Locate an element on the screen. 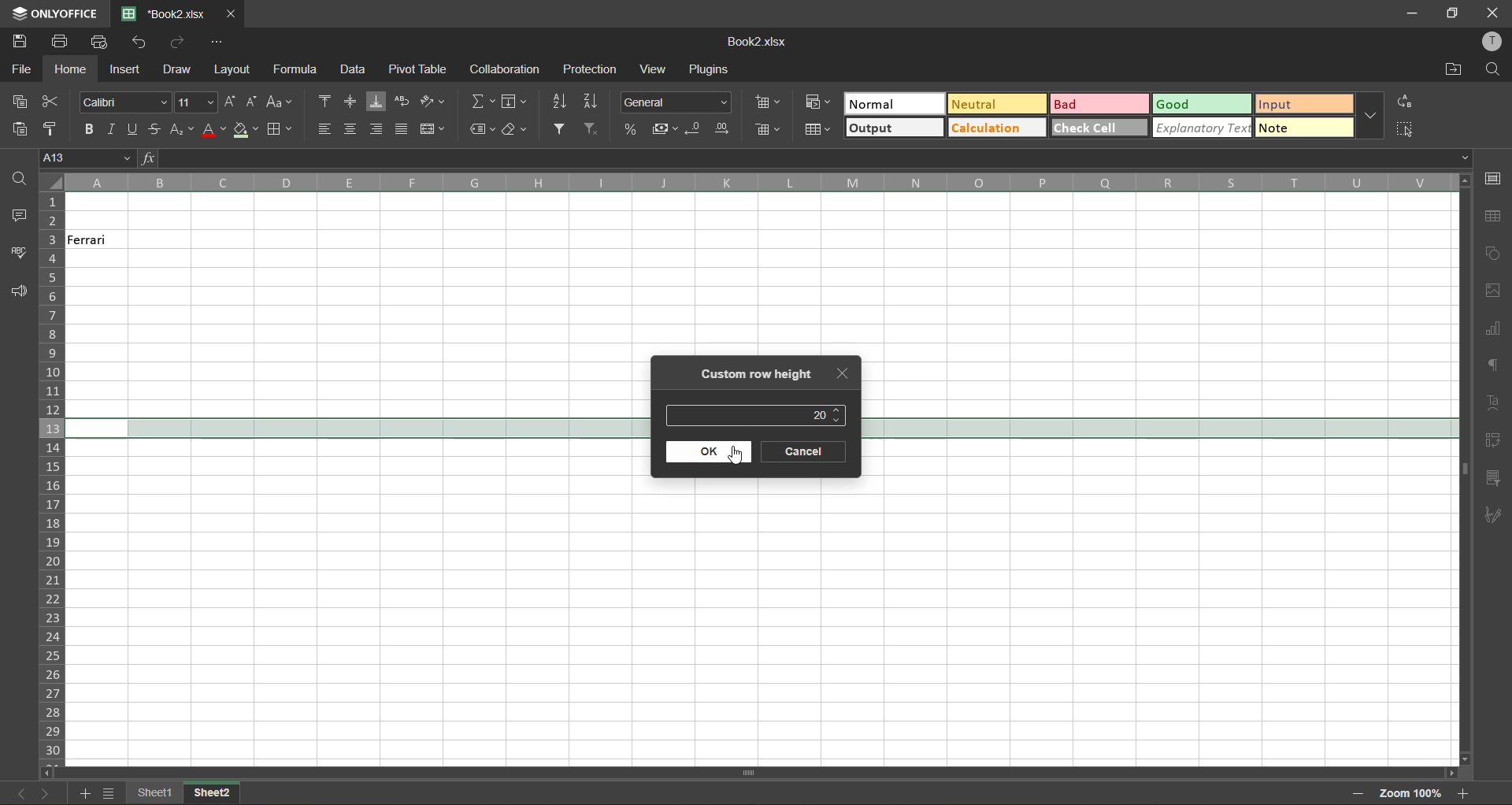 This screenshot has width=1512, height=805. pivot table is located at coordinates (417, 69).